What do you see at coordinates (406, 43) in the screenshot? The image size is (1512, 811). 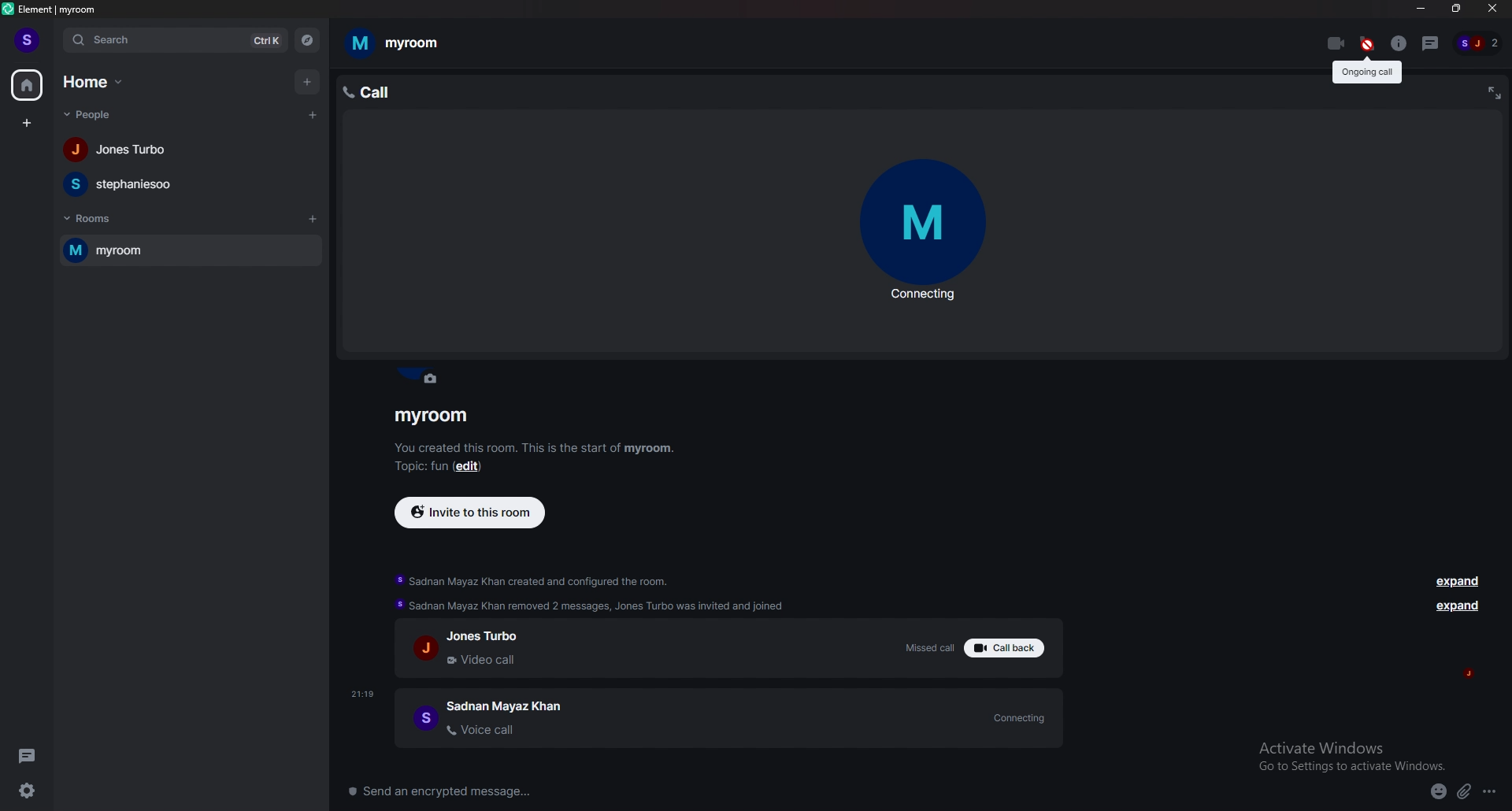 I see `myroom` at bounding box center [406, 43].